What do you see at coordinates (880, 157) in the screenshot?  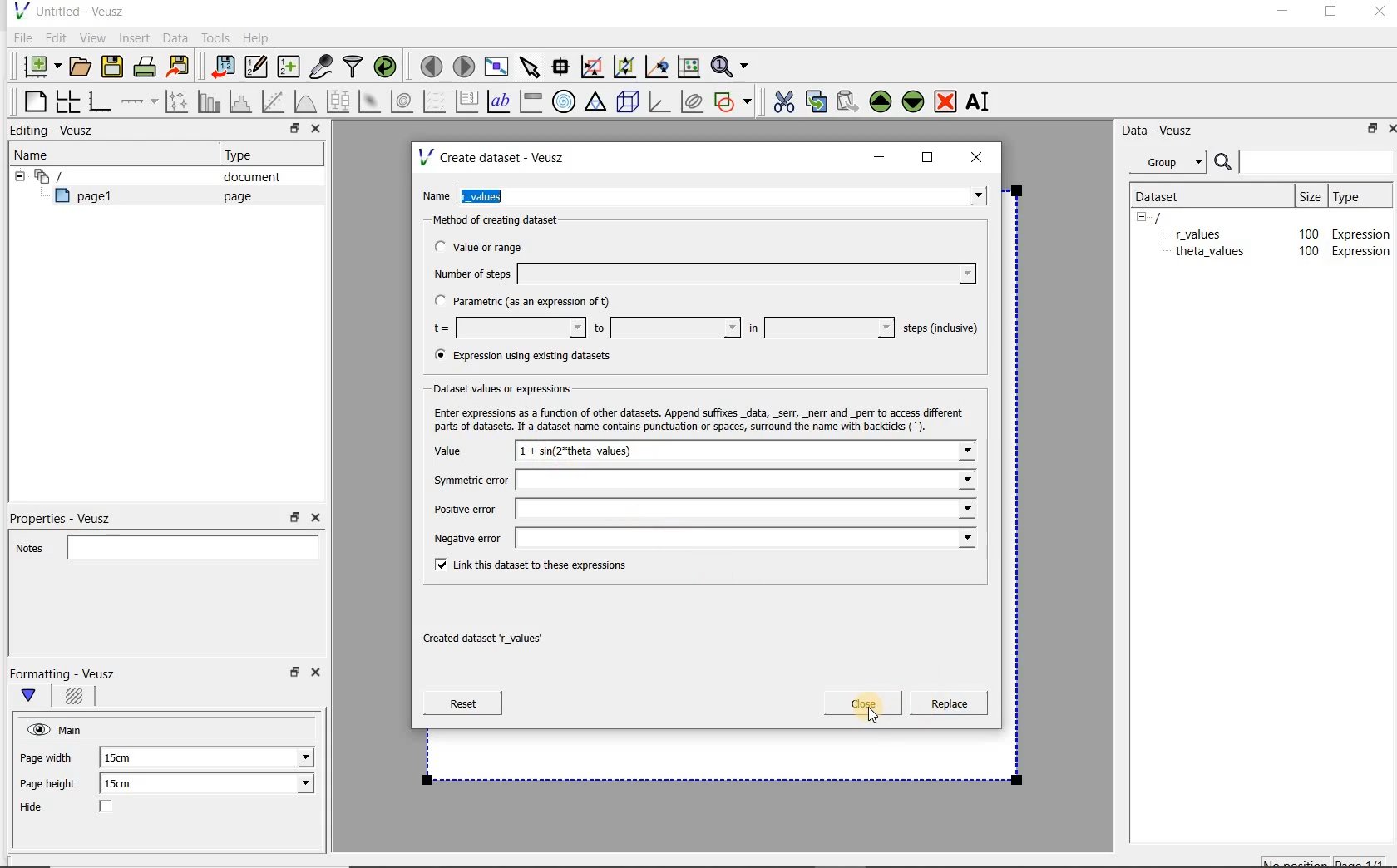 I see `minimize` at bounding box center [880, 157].